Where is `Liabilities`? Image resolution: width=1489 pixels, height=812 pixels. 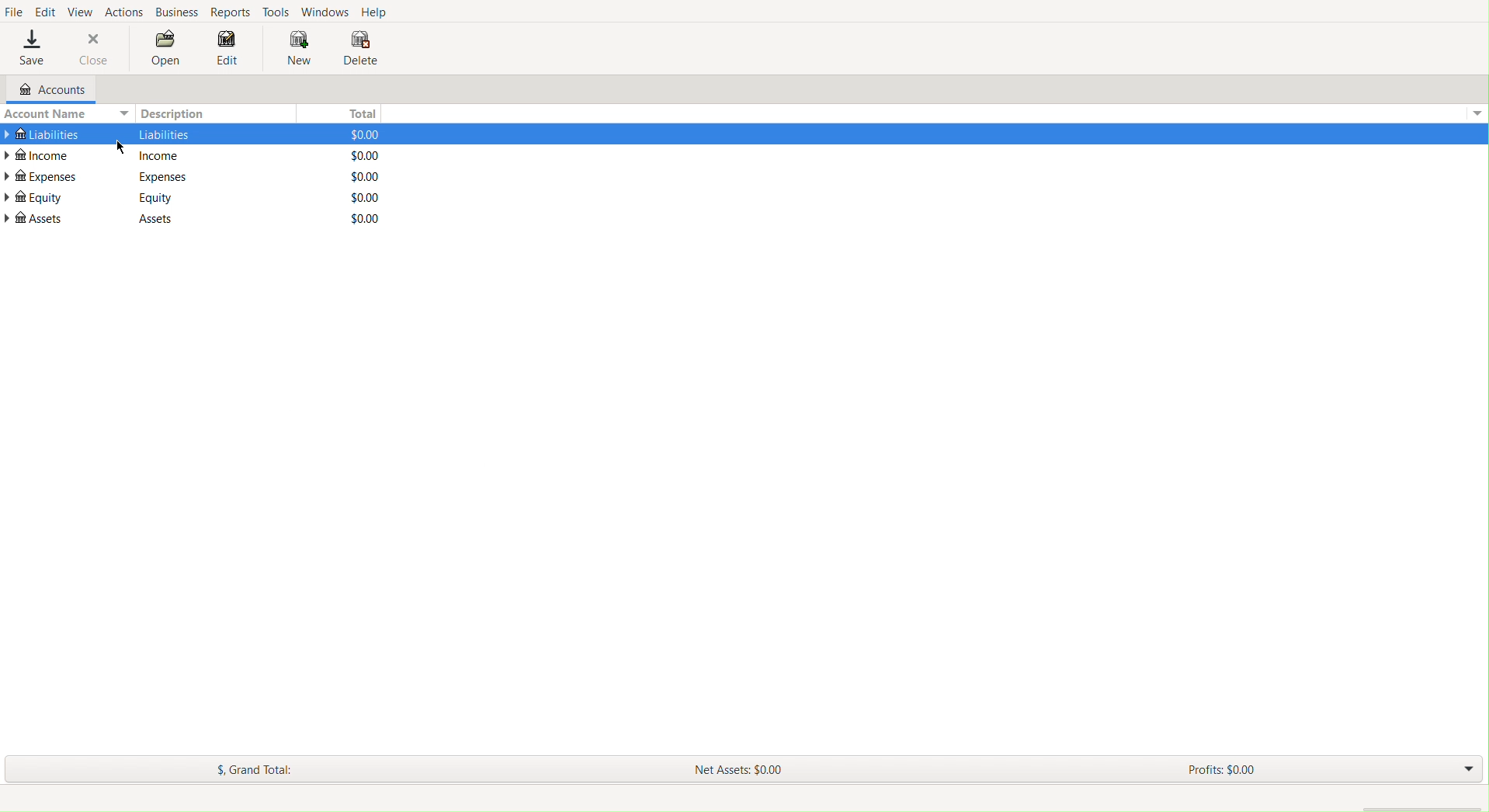 Liabilities is located at coordinates (42, 132).